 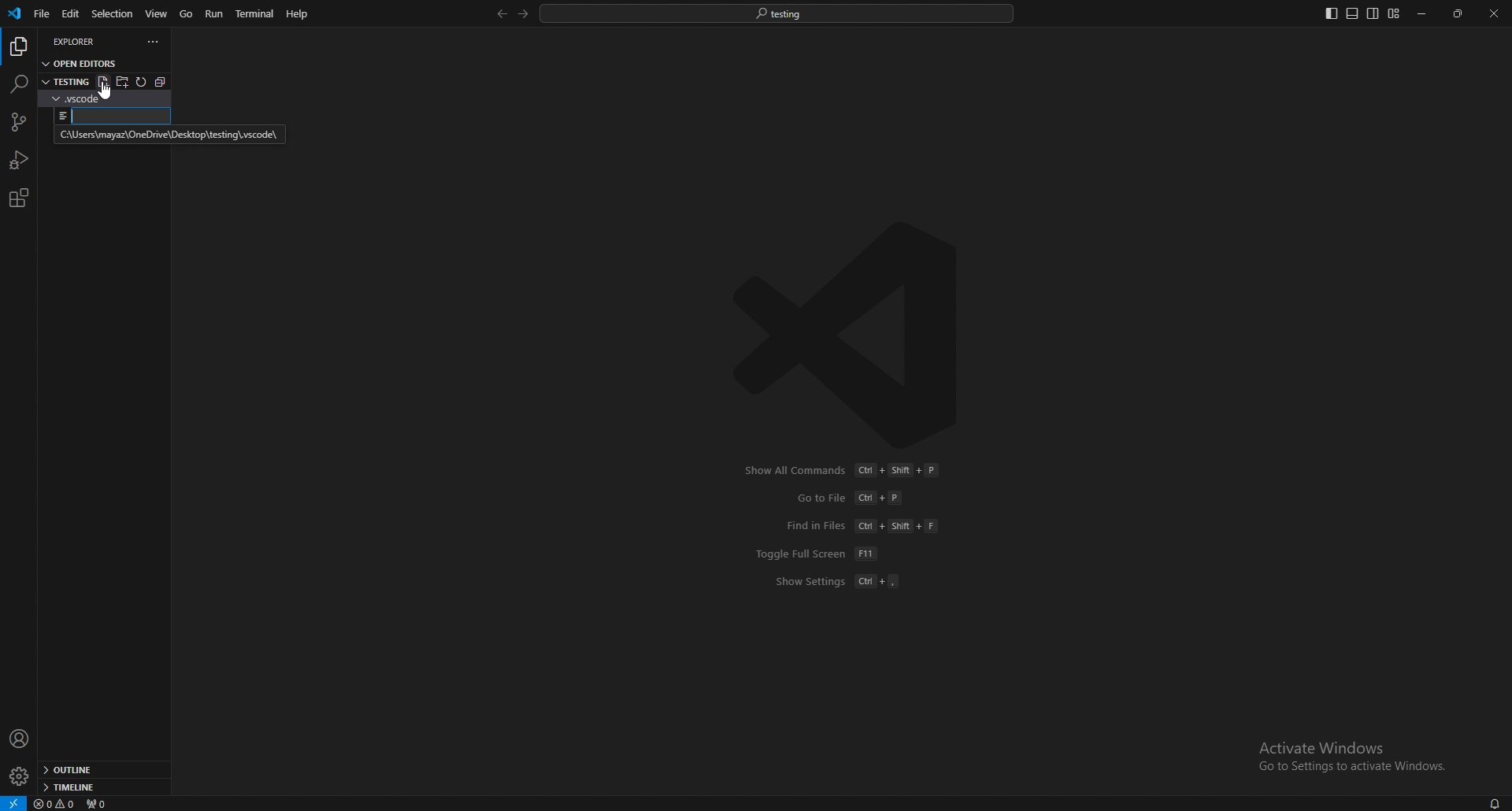 I want to click on open a remote window, so click(x=13, y=802).